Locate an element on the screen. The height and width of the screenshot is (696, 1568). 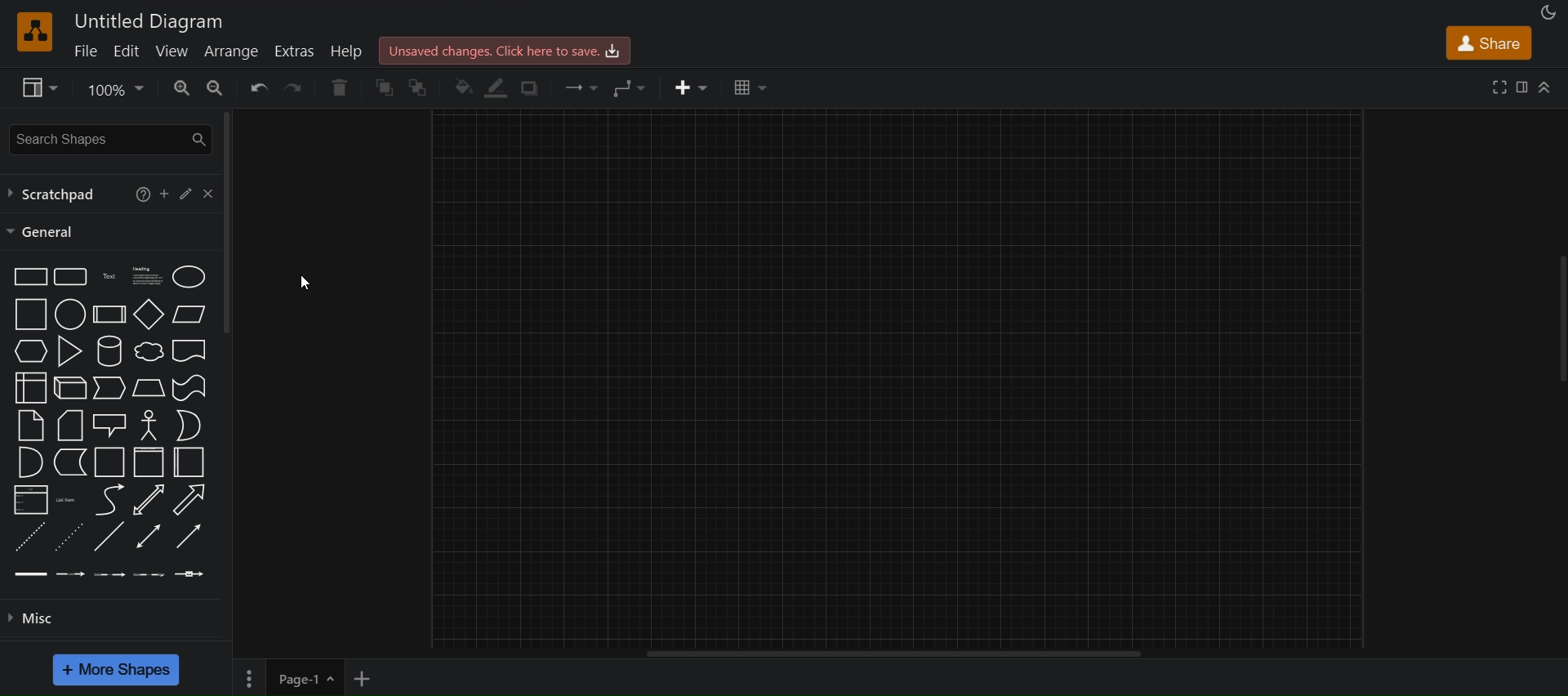
help is located at coordinates (143, 195).